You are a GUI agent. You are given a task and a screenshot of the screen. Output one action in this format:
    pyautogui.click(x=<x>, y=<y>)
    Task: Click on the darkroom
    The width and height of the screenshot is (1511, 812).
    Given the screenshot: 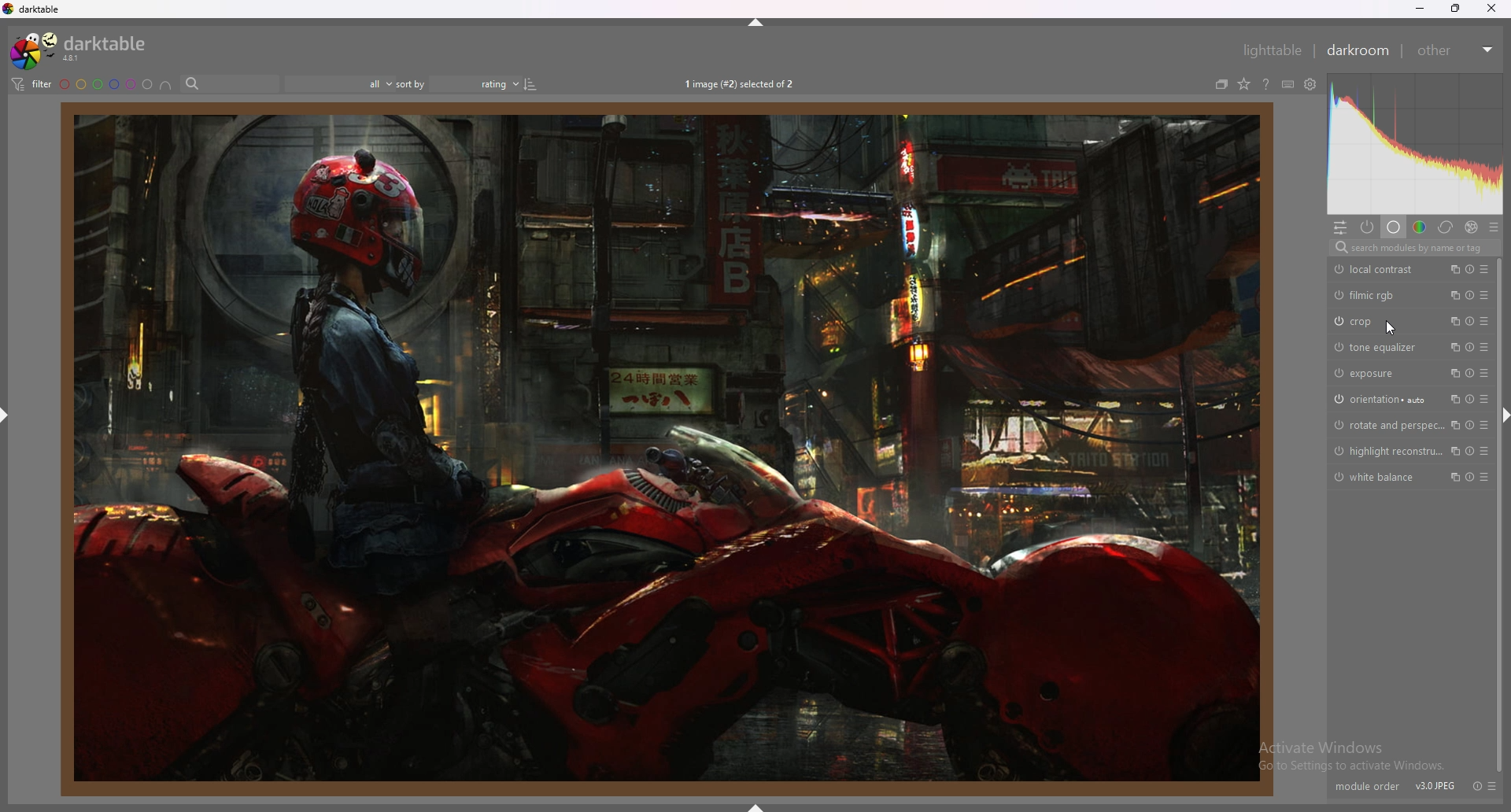 What is the action you would take?
    pyautogui.click(x=1358, y=50)
    